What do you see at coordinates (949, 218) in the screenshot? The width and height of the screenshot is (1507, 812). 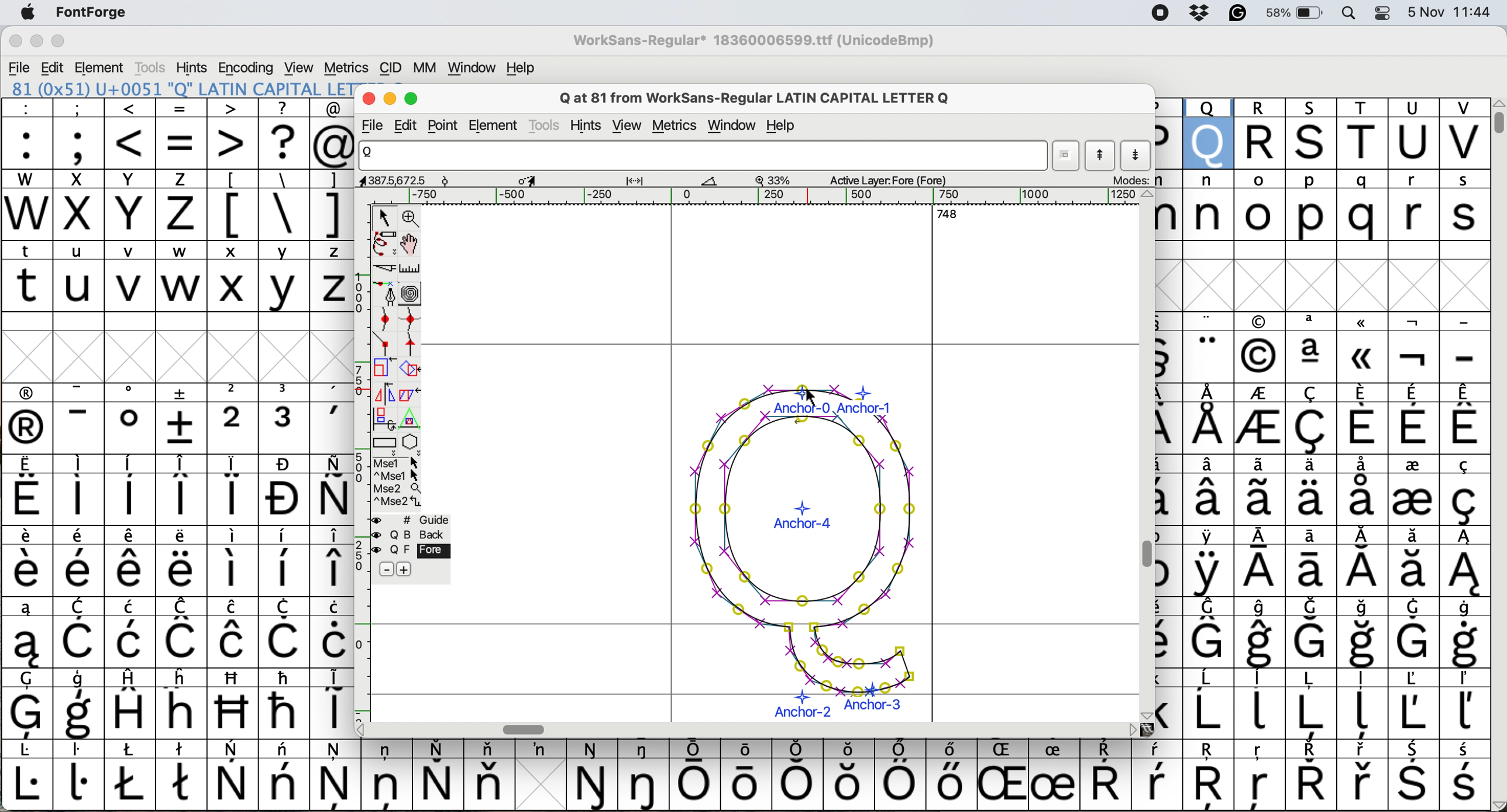 I see `horizontal scroll bar` at bounding box center [949, 218].